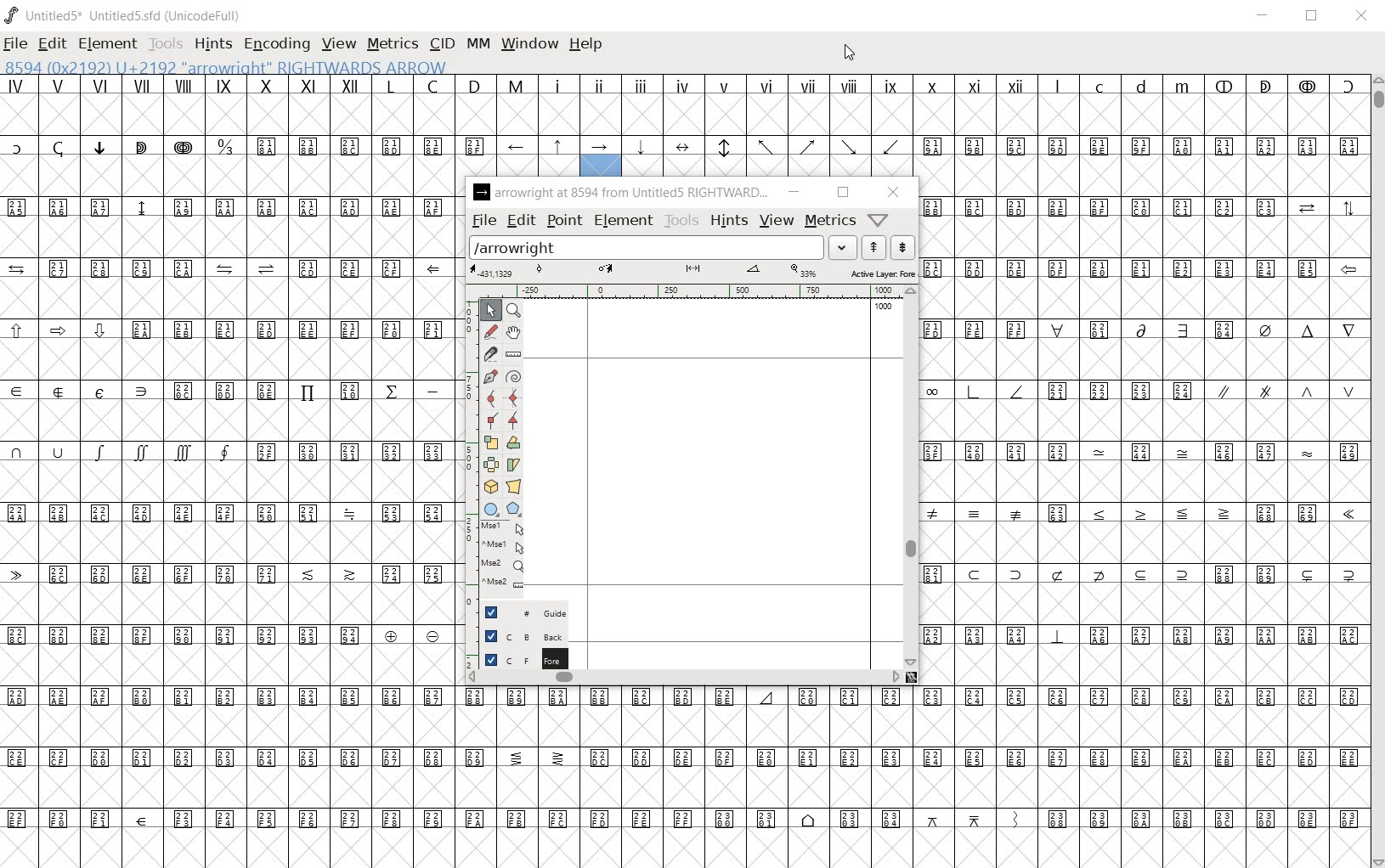  Describe the element at coordinates (692, 271) in the screenshot. I see `active layer: fore` at that location.